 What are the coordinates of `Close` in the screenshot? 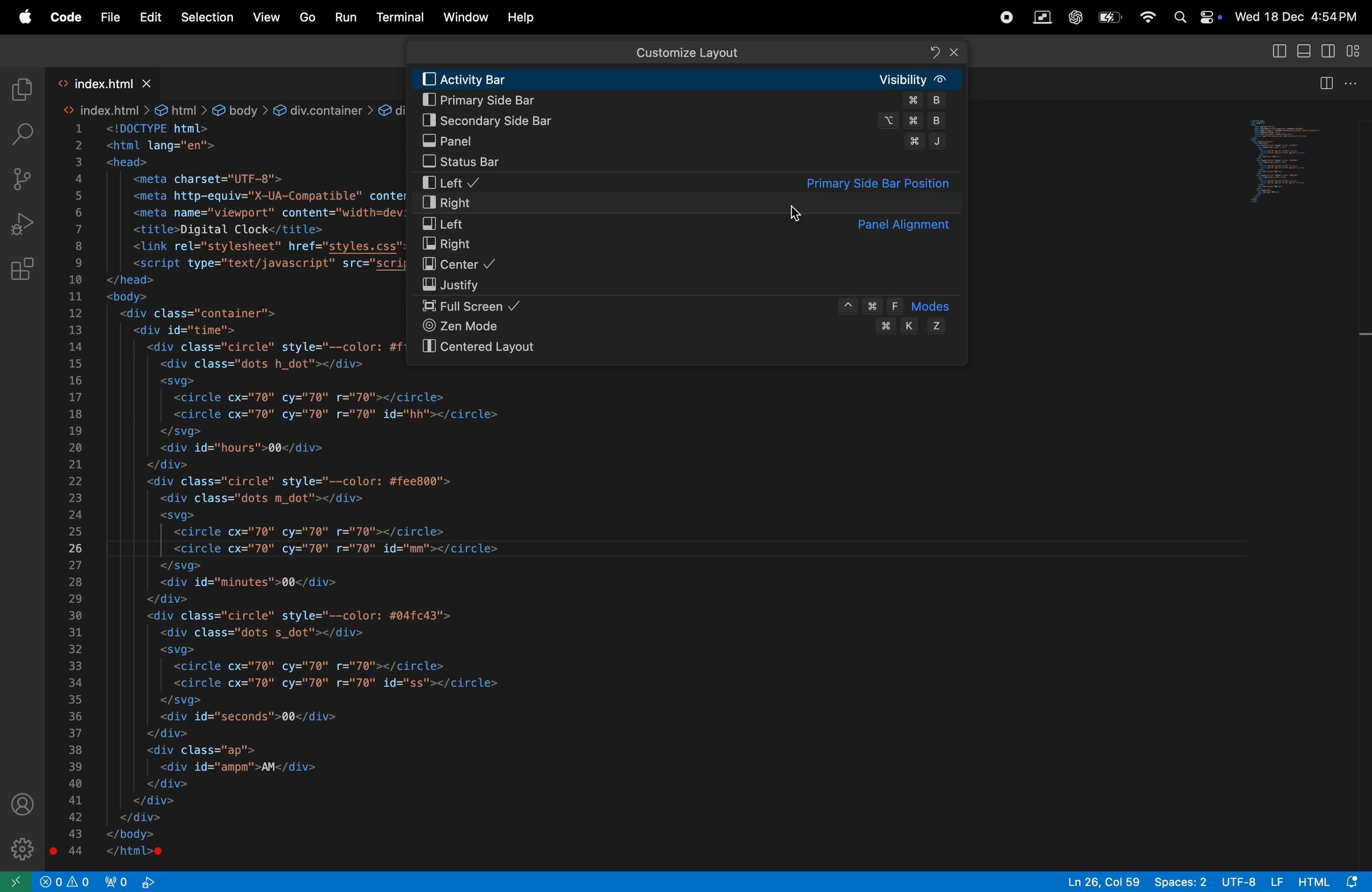 It's located at (954, 52).